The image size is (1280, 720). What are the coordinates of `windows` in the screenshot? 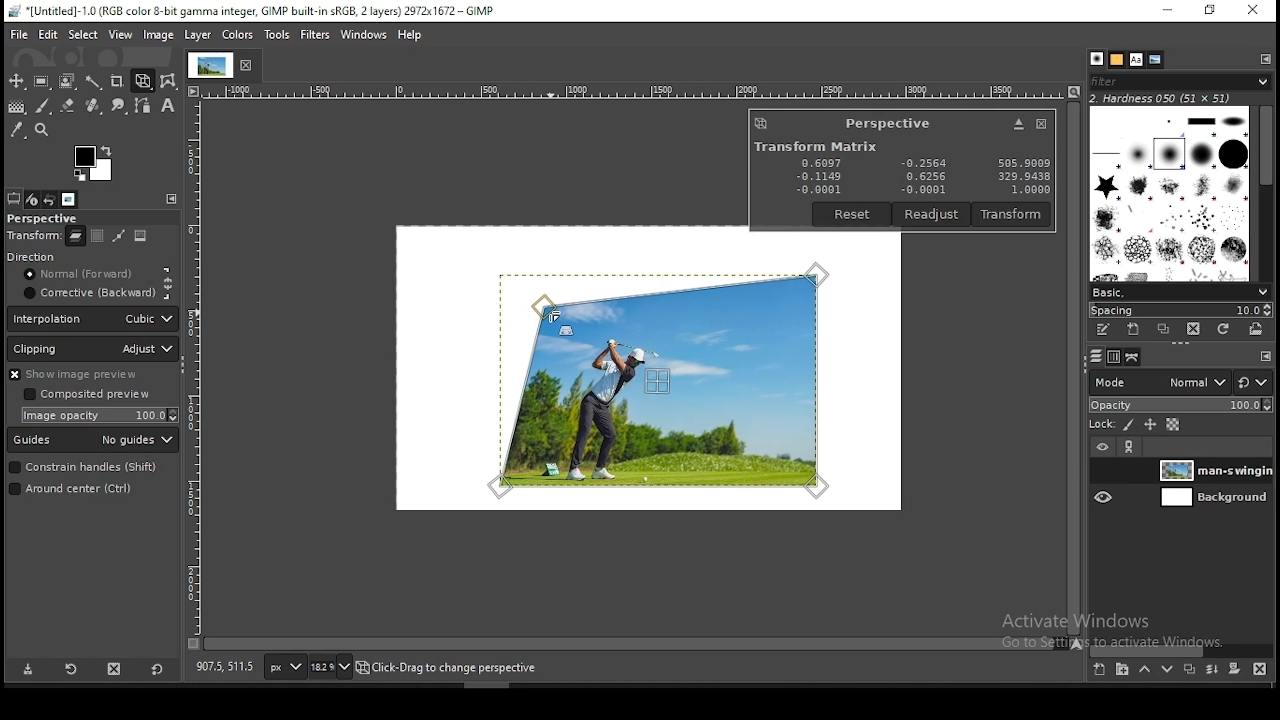 It's located at (361, 35).